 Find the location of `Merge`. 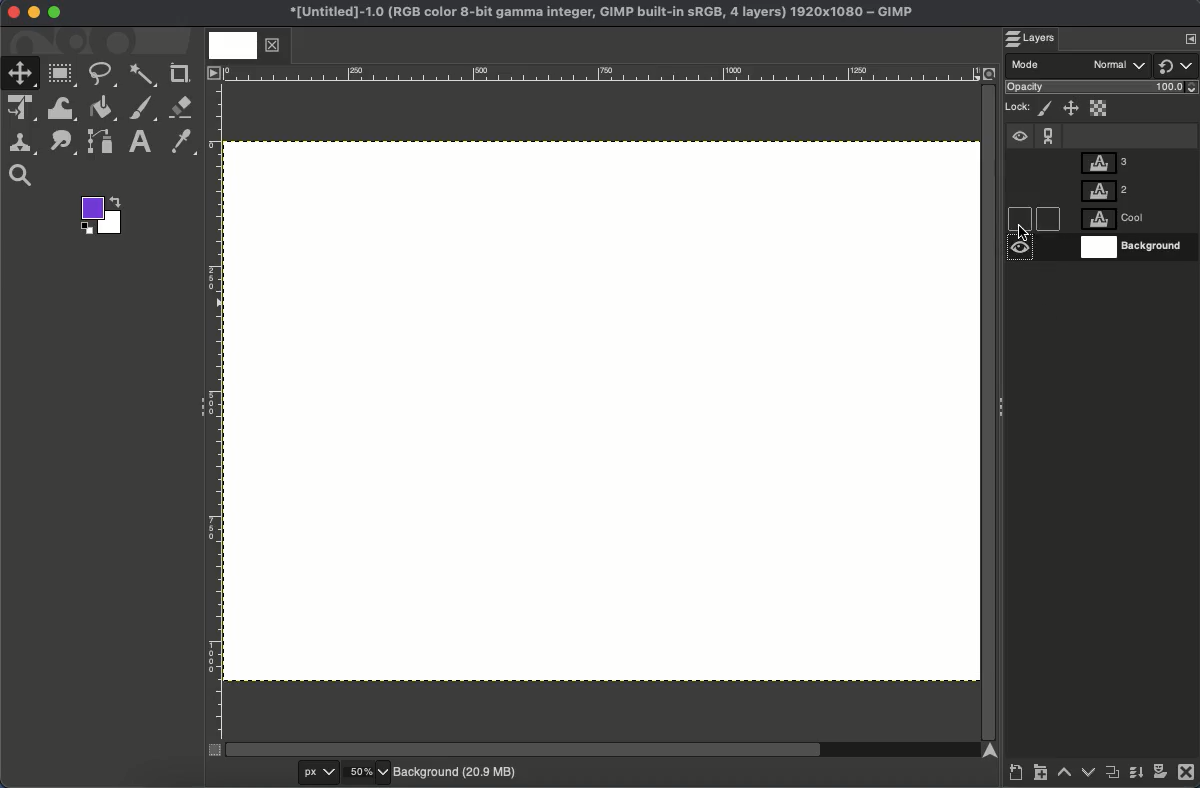

Merge is located at coordinates (1135, 777).